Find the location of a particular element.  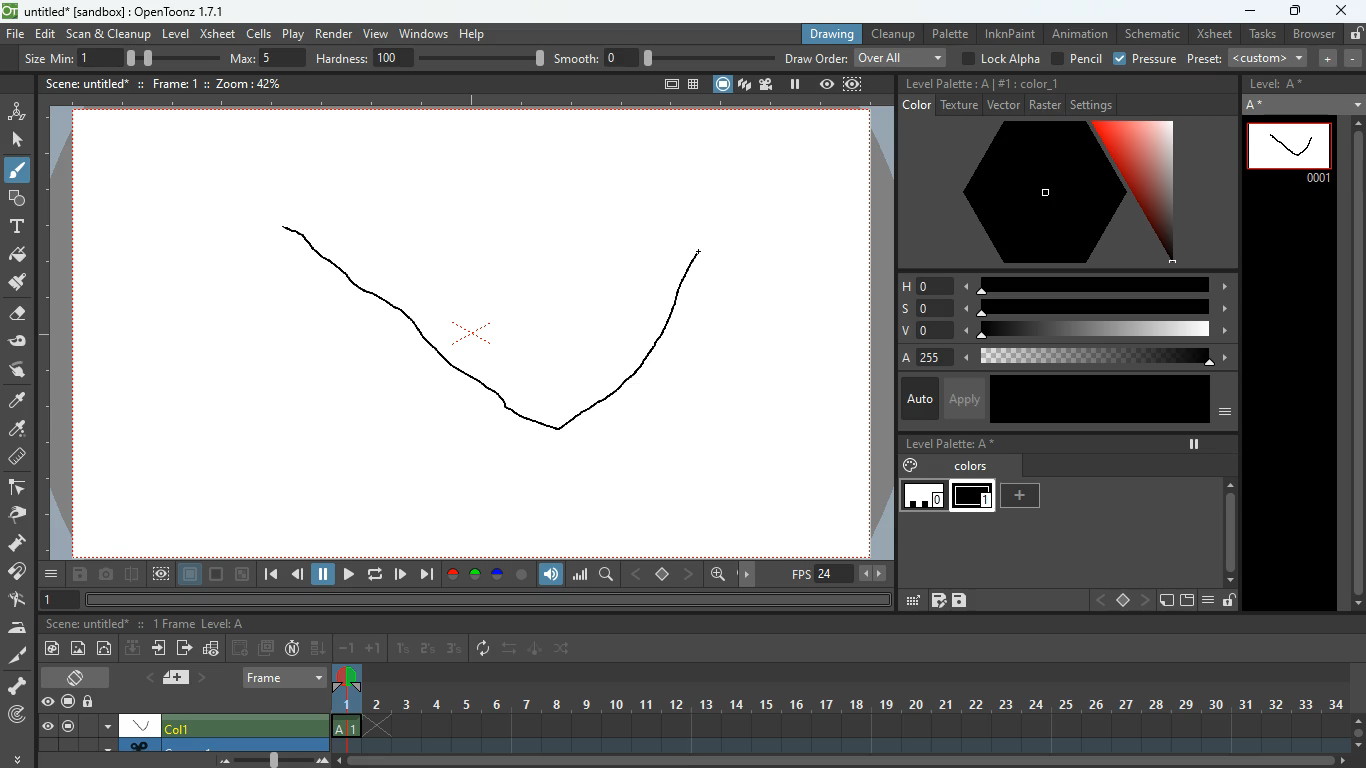

Column is located at coordinates (180, 744).